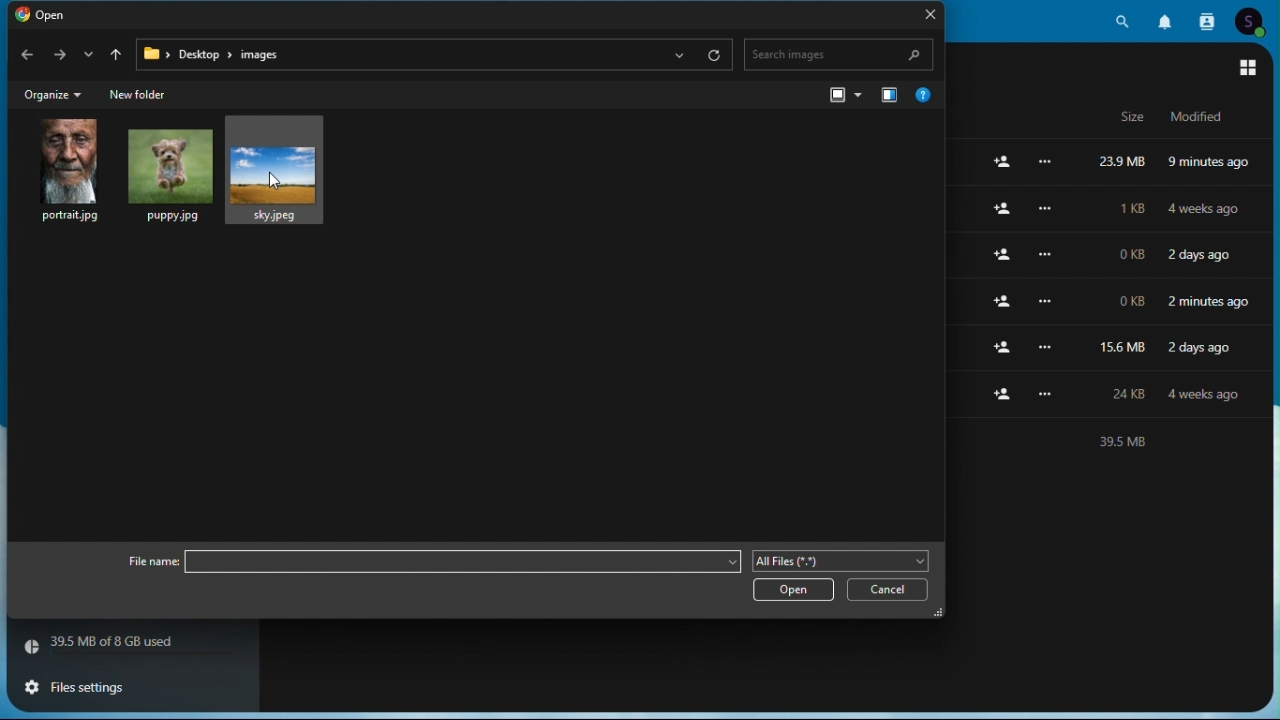 This screenshot has height=720, width=1280. What do you see at coordinates (842, 94) in the screenshot?
I see `View` at bounding box center [842, 94].